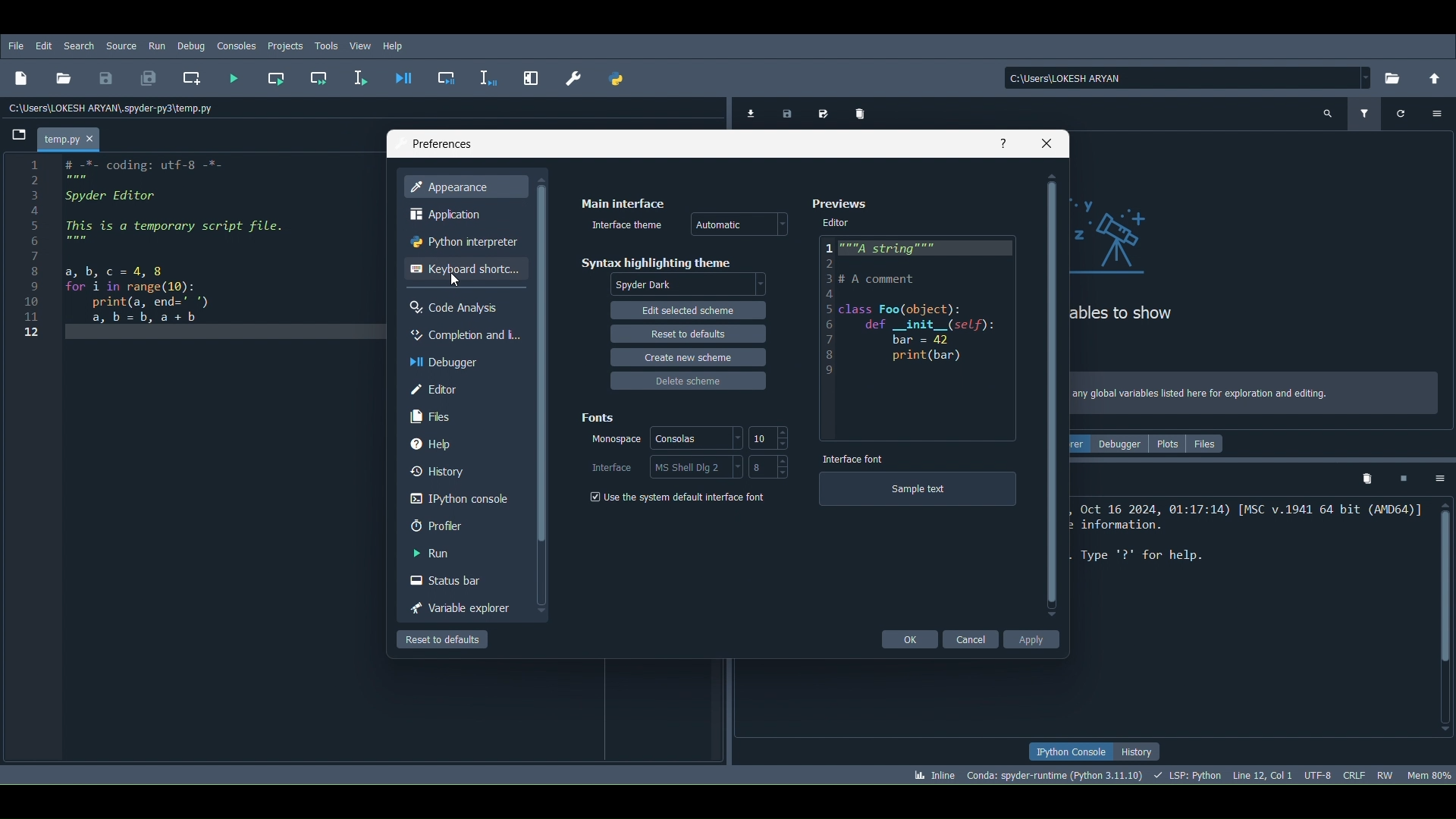 The image size is (1456, 819). Describe the element at coordinates (234, 46) in the screenshot. I see `Consoles` at that location.